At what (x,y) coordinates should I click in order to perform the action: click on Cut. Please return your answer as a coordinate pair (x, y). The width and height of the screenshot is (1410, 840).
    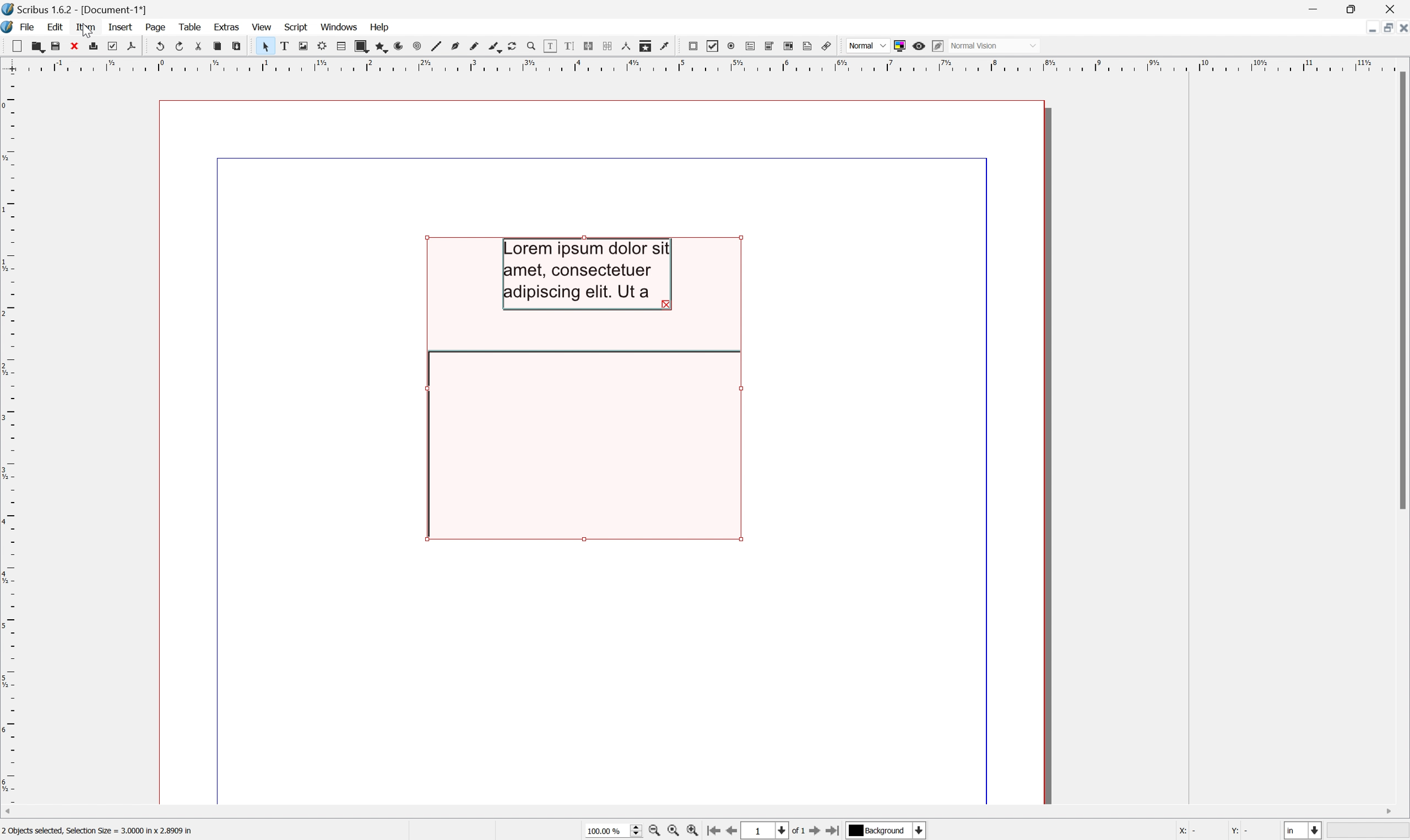
    Looking at the image, I should click on (198, 44).